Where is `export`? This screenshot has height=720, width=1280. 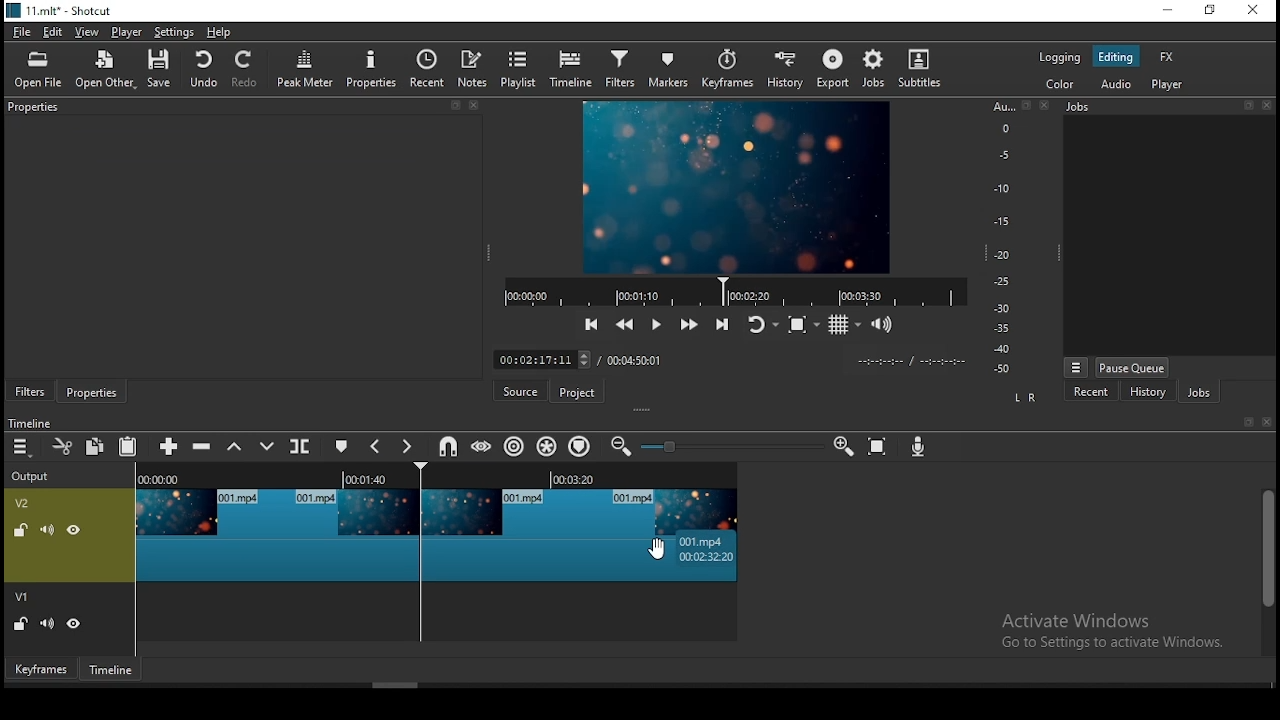
export is located at coordinates (833, 69).